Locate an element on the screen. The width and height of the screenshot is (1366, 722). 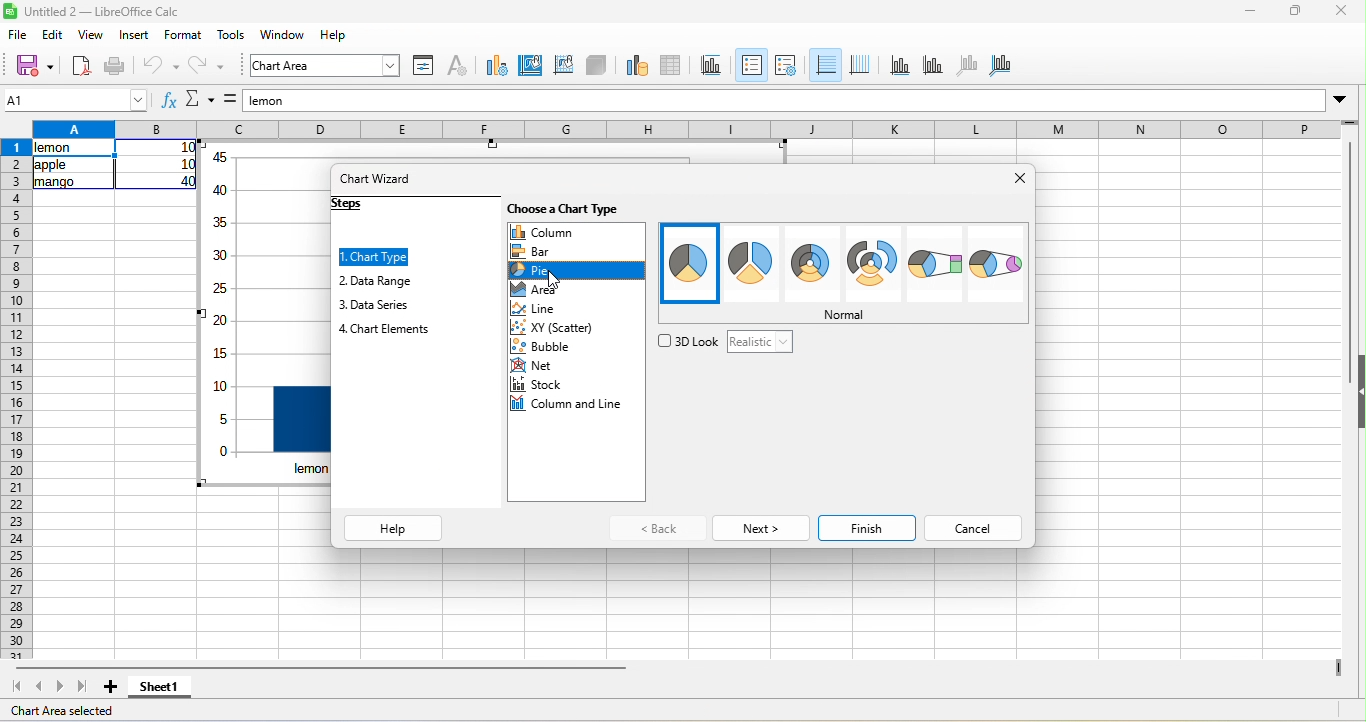
minimize is located at coordinates (1247, 12).